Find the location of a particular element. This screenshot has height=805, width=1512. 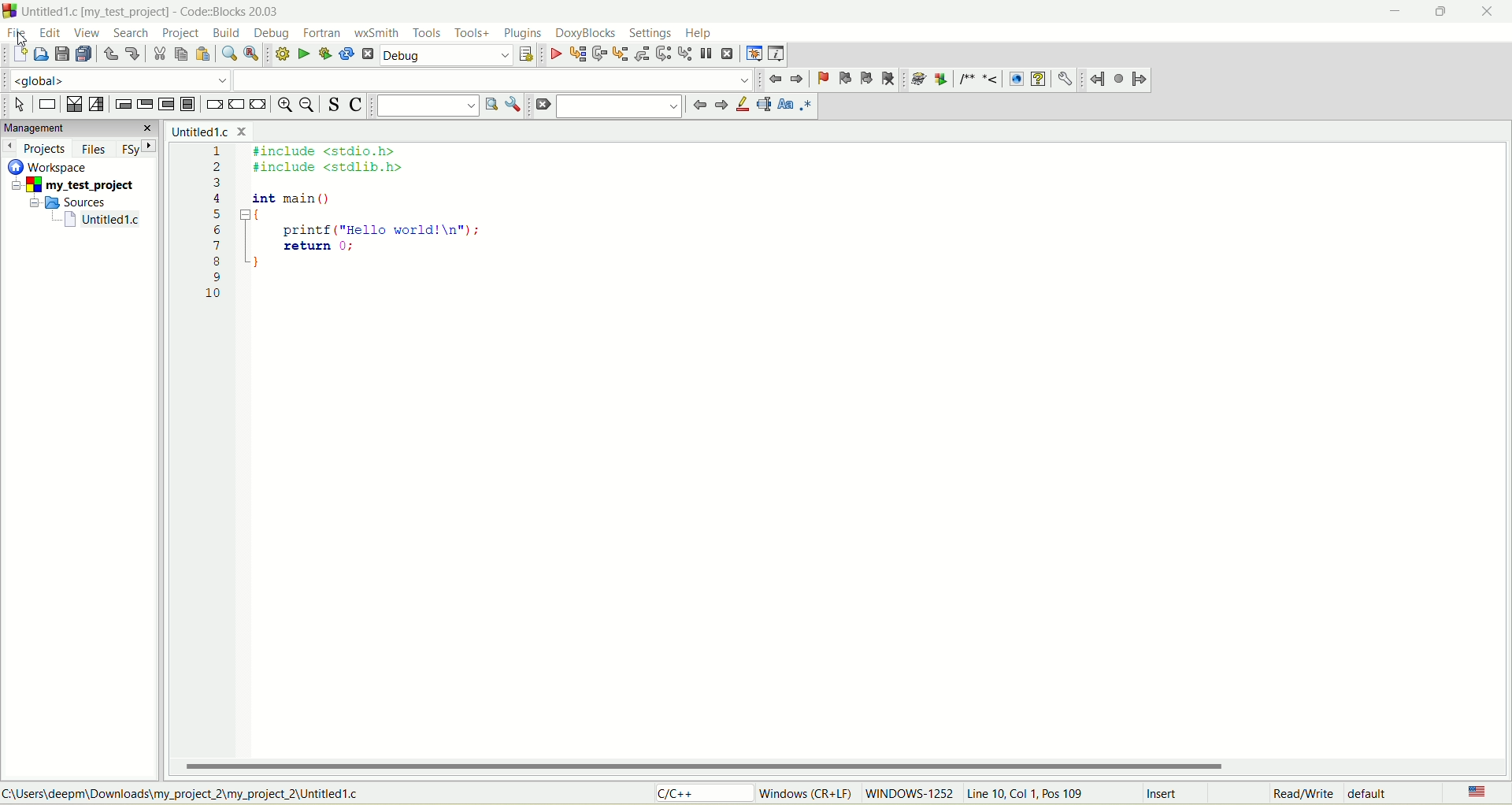

projects is located at coordinates (37, 148).